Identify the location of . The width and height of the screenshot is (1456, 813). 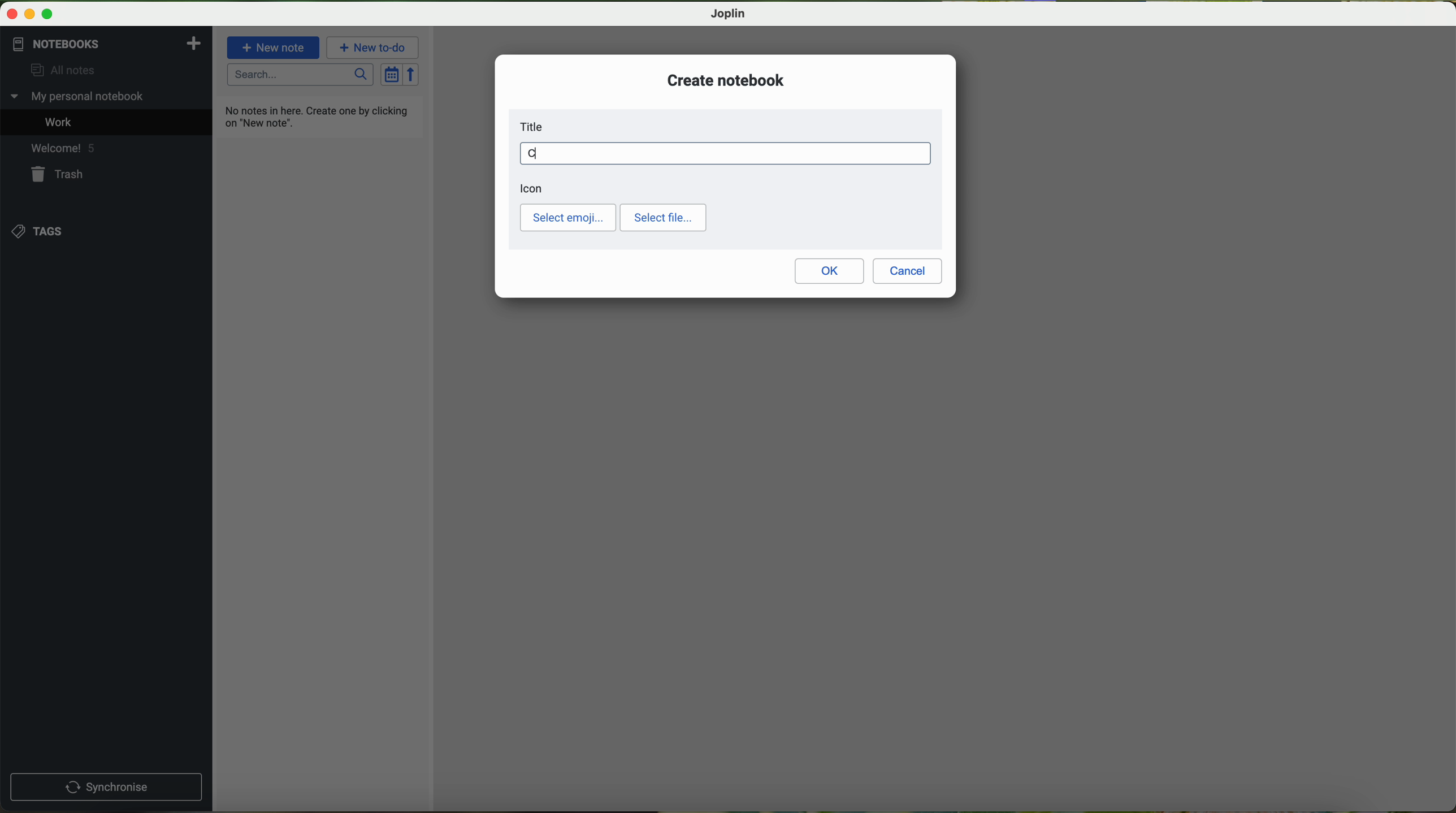
(415, 76).